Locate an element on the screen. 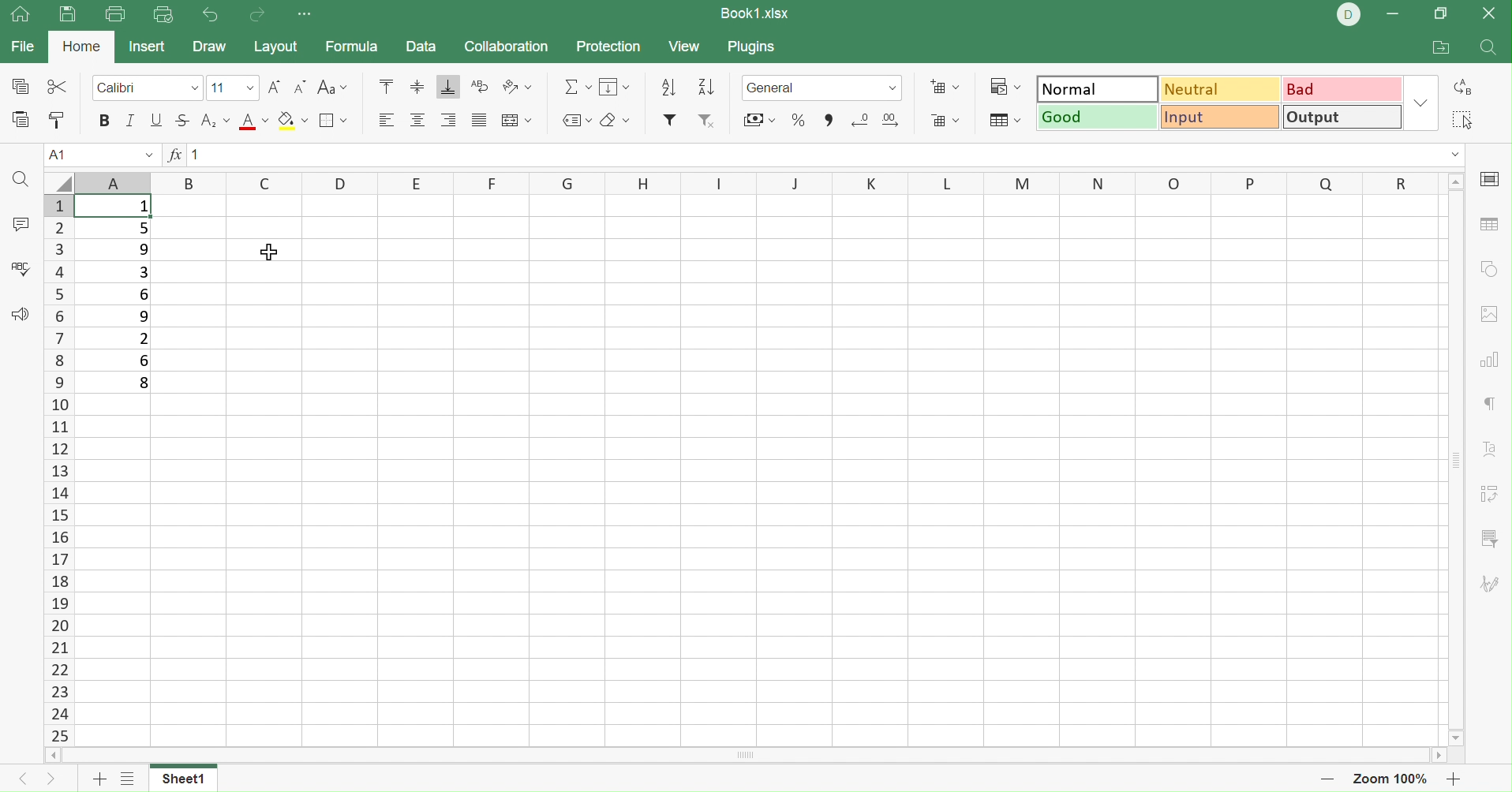 The height and width of the screenshot is (792, 1512). Drop down is located at coordinates (1424, 104).